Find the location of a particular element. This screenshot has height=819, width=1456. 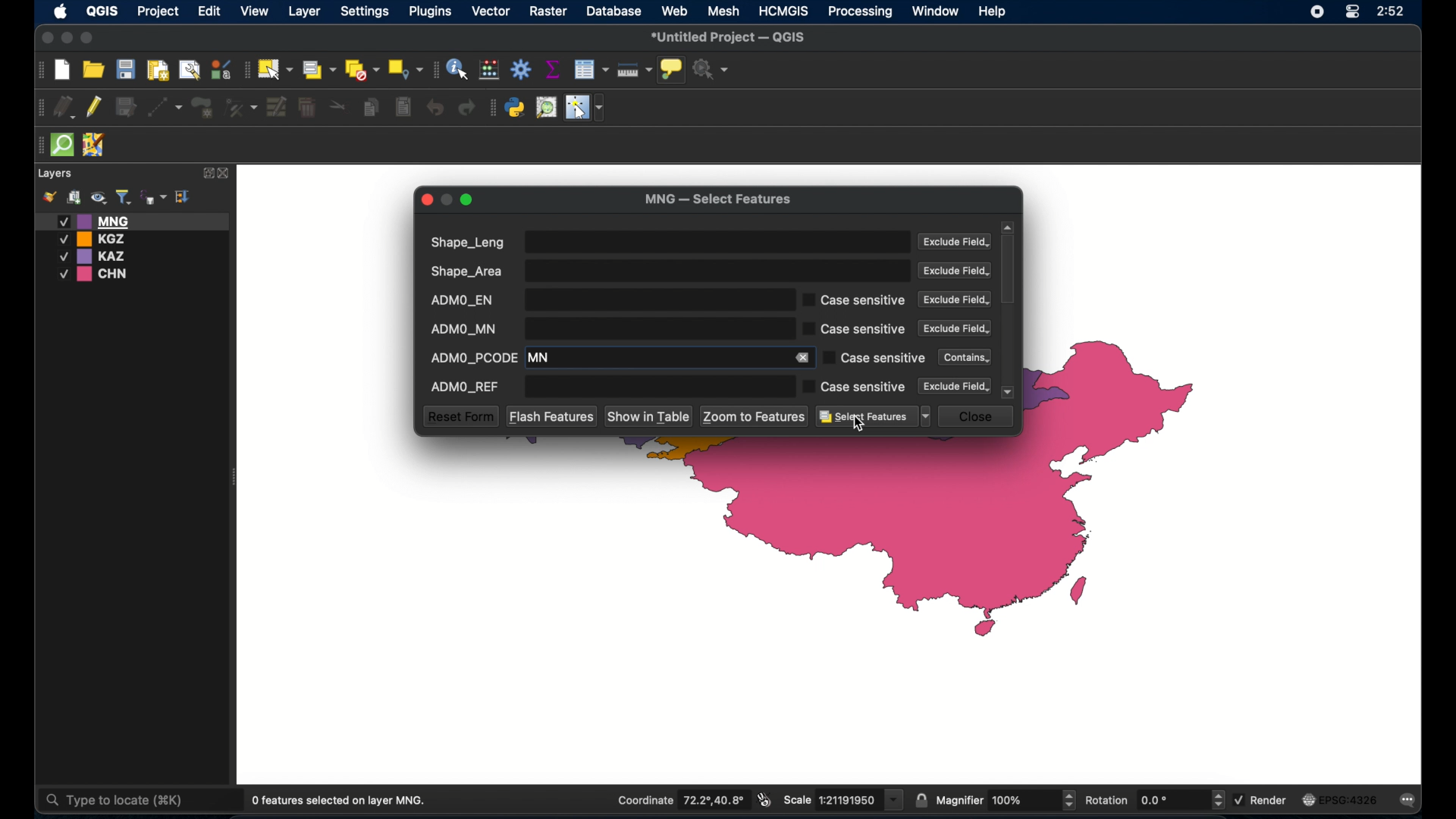

mesh is located at coordinates (725, 11).